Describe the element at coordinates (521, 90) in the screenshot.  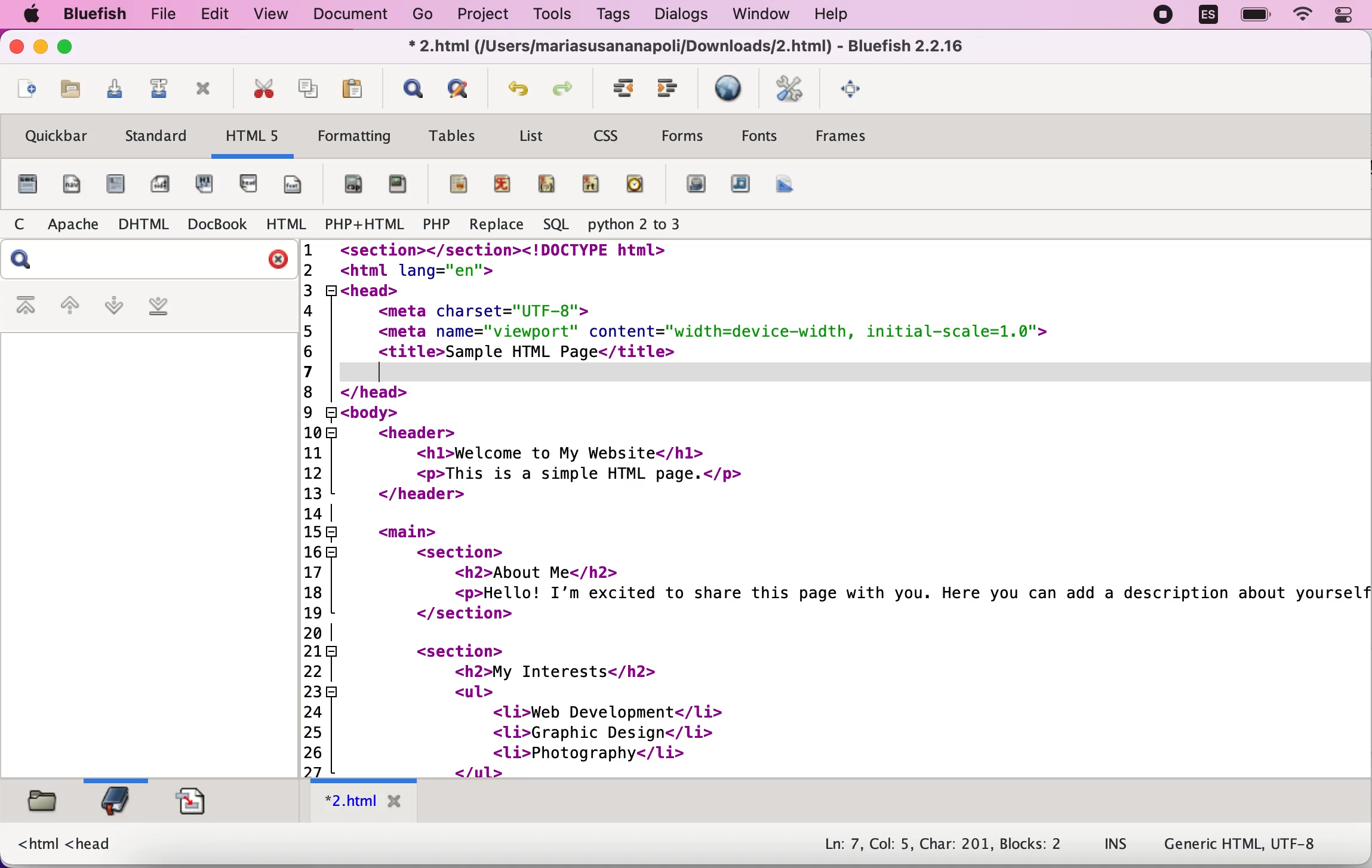
I see `undo` at that location.